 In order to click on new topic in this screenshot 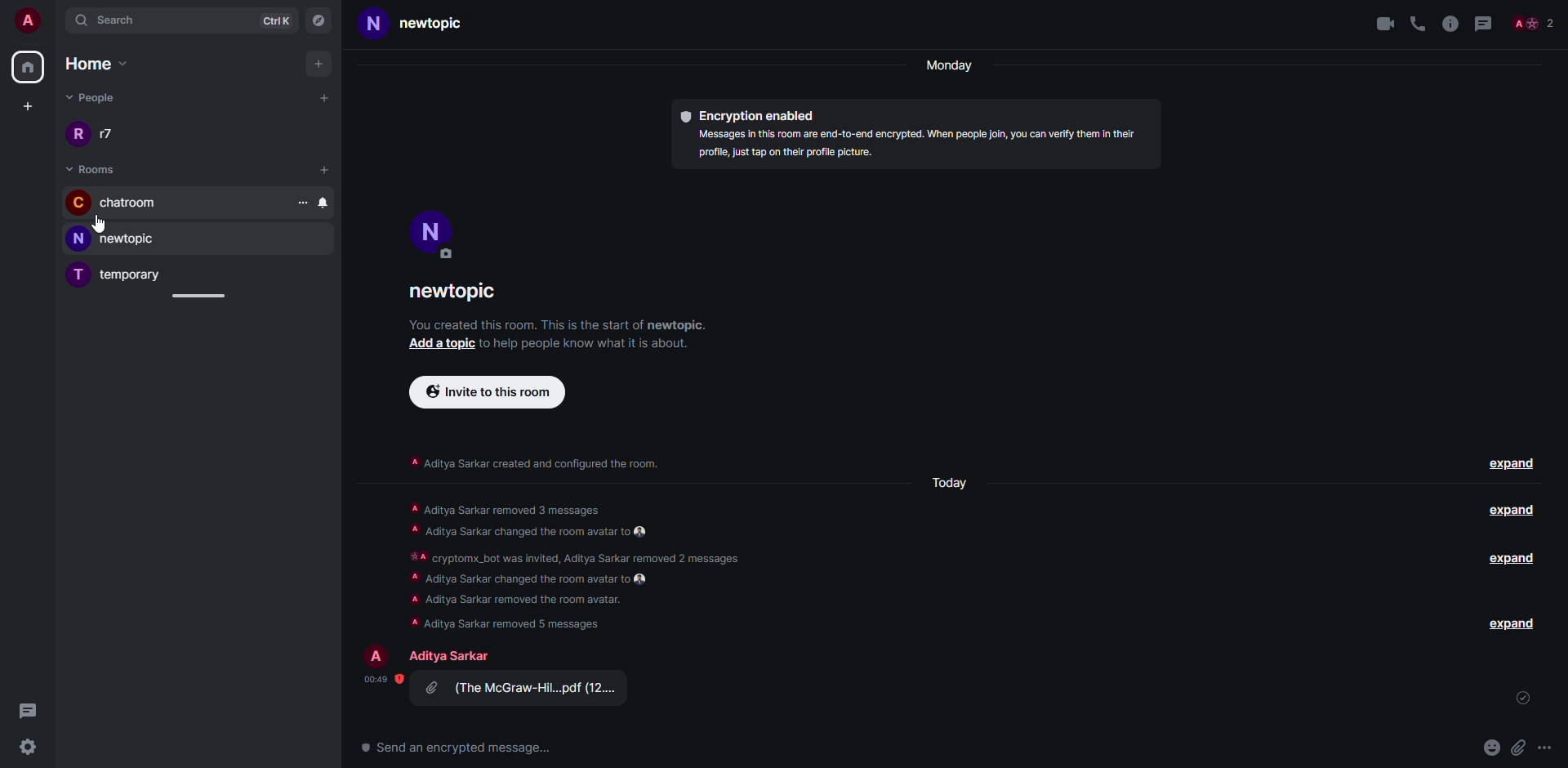, I will do `click(424, 24)`.